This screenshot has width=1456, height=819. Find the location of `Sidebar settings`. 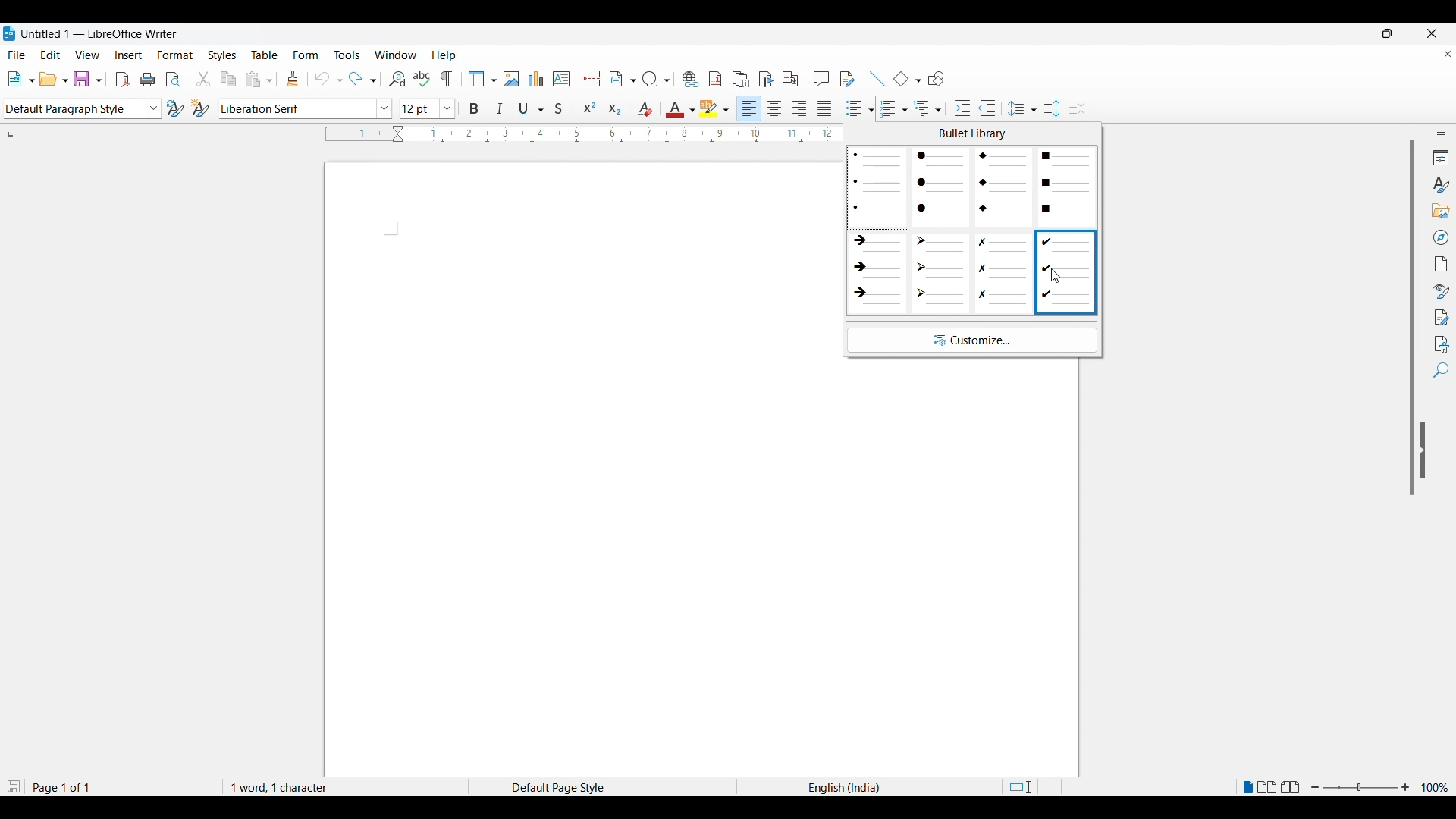

Sidebar settings is located at coordinates (1439, 132).